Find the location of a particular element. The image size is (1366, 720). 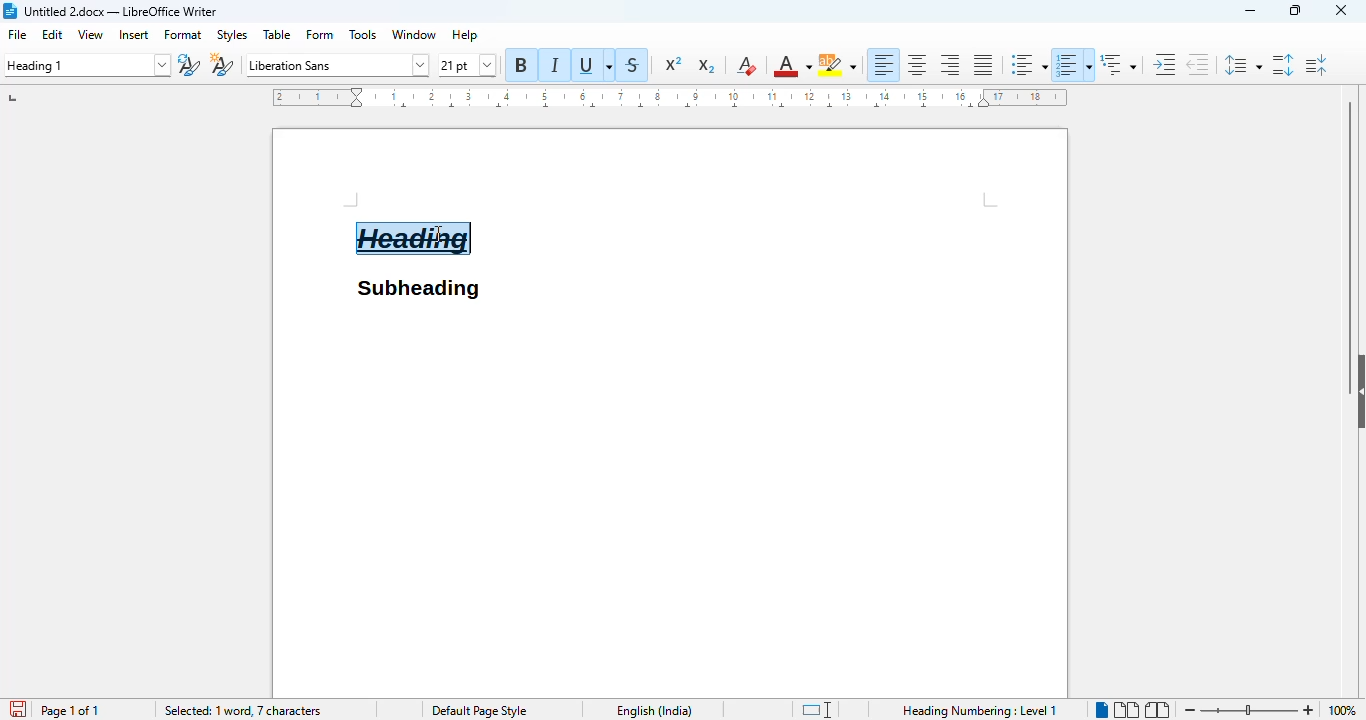

increase paragraph spacing is located at coordinates (1283, 64).